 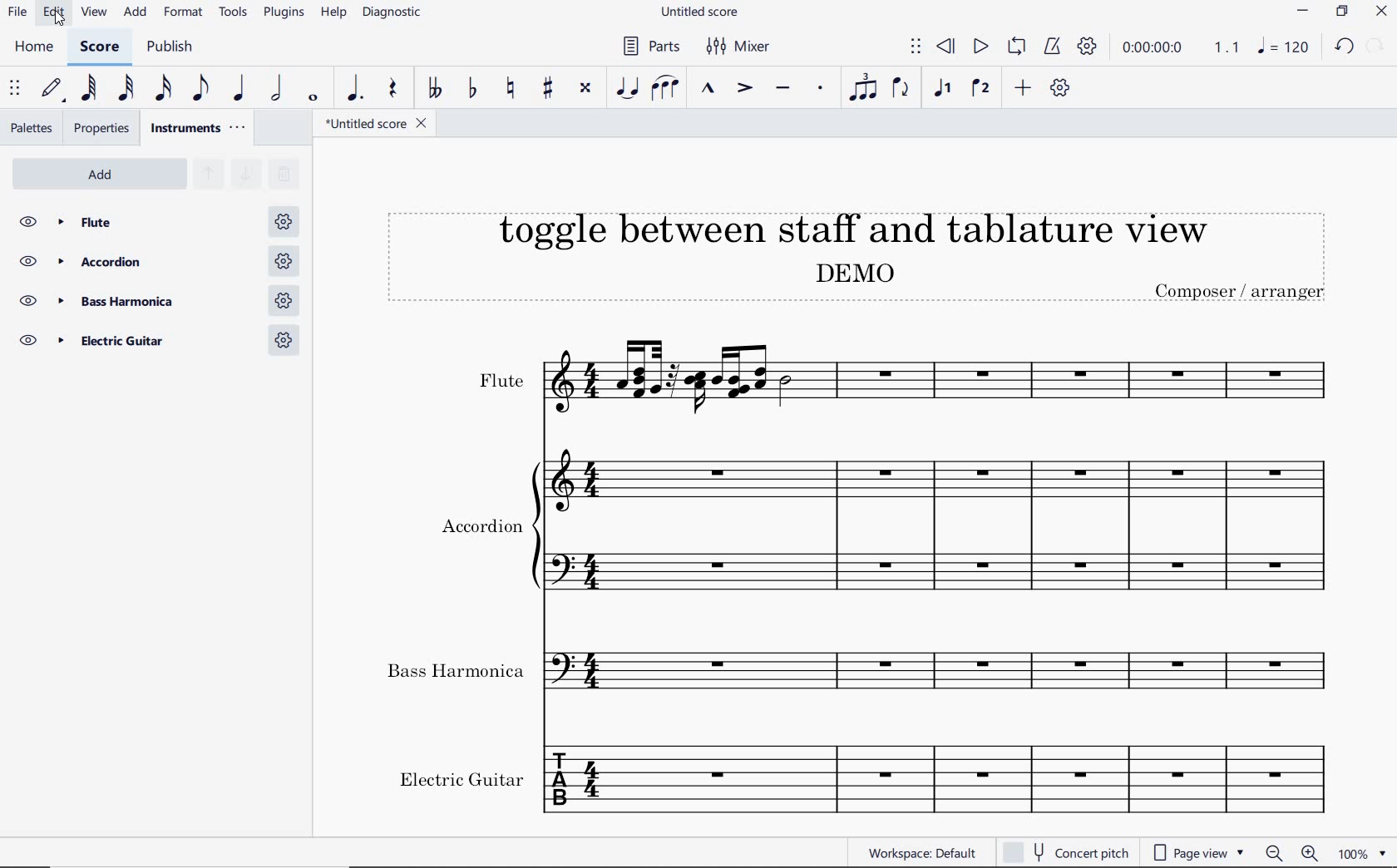 What do you see at coordinates (820, 90) in the screenshot?
I see `staccato` at bounding box center [820, 90].